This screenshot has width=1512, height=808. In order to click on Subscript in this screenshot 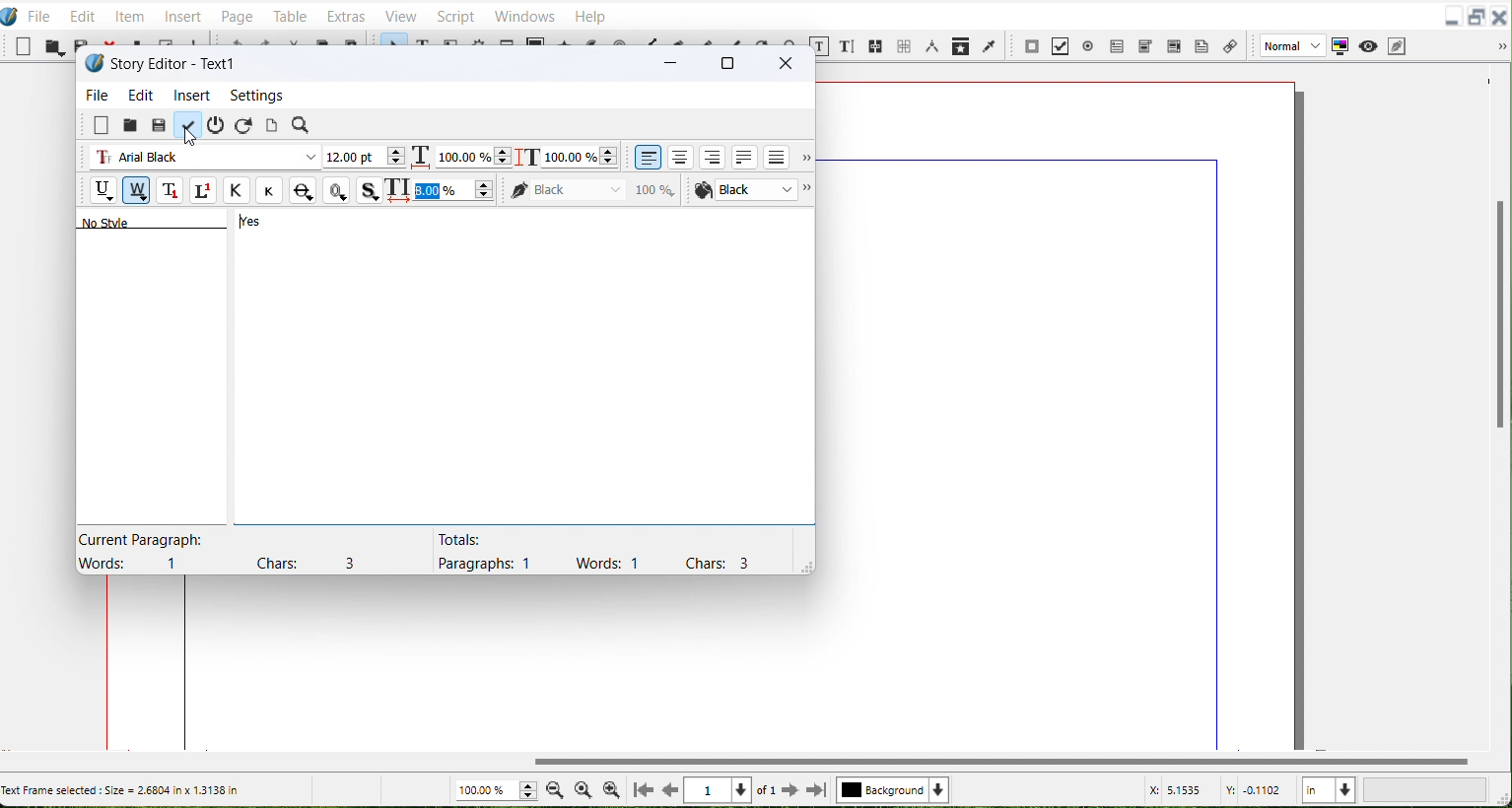, I will do `click(169, 190)`.